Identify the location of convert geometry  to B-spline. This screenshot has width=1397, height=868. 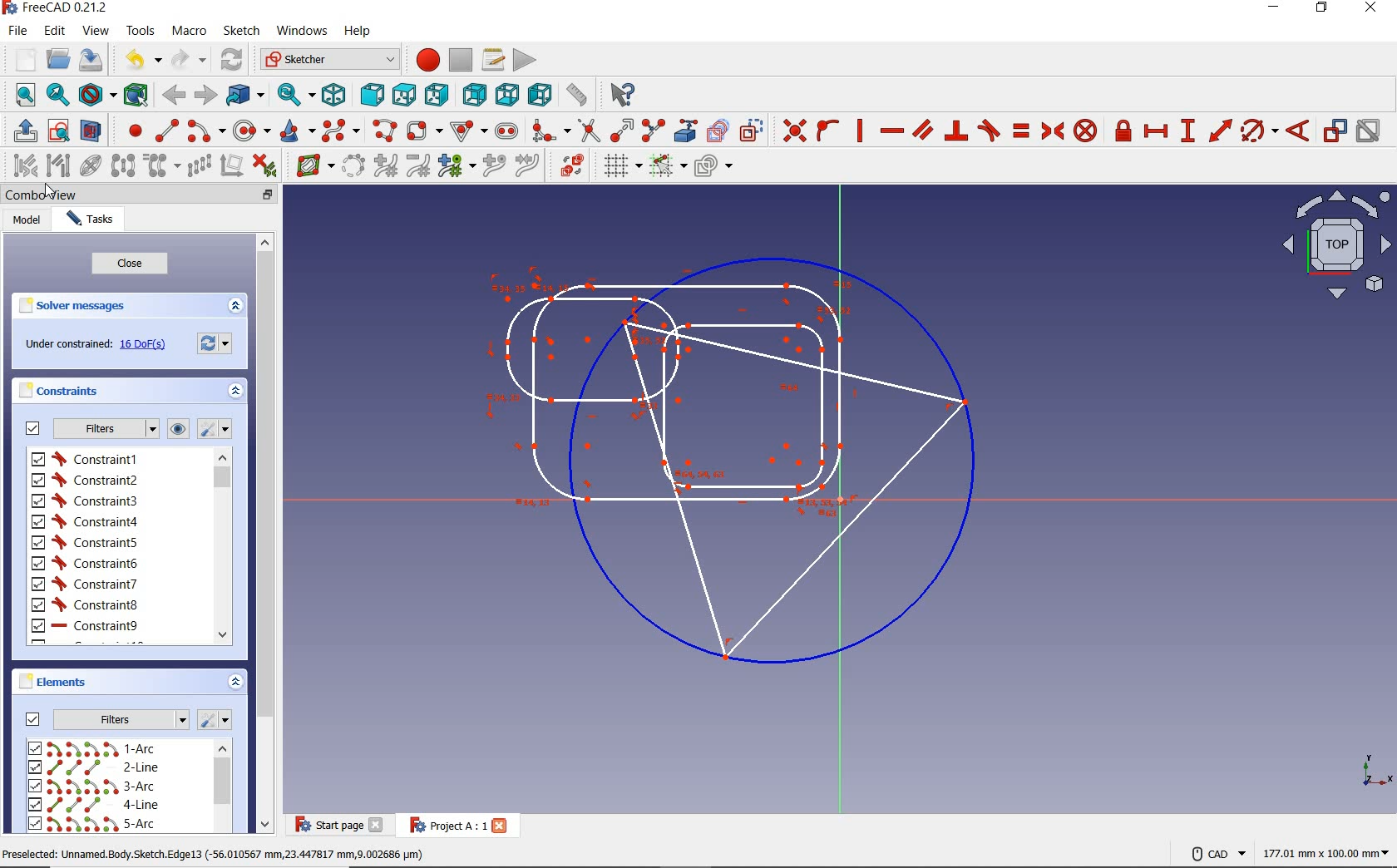
(353, 165).